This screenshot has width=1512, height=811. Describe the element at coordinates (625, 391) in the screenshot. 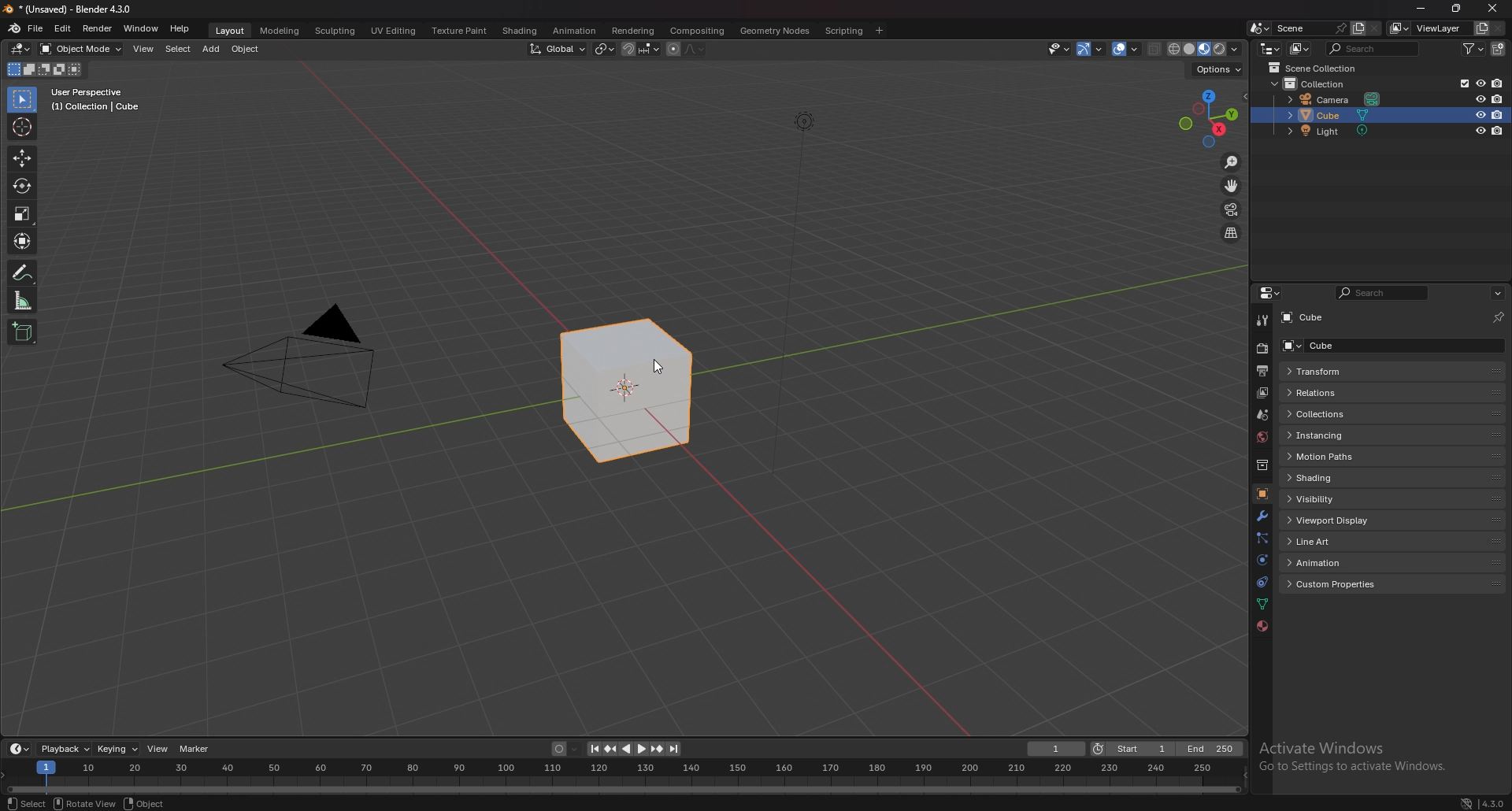

I see `selected cube` at that location.